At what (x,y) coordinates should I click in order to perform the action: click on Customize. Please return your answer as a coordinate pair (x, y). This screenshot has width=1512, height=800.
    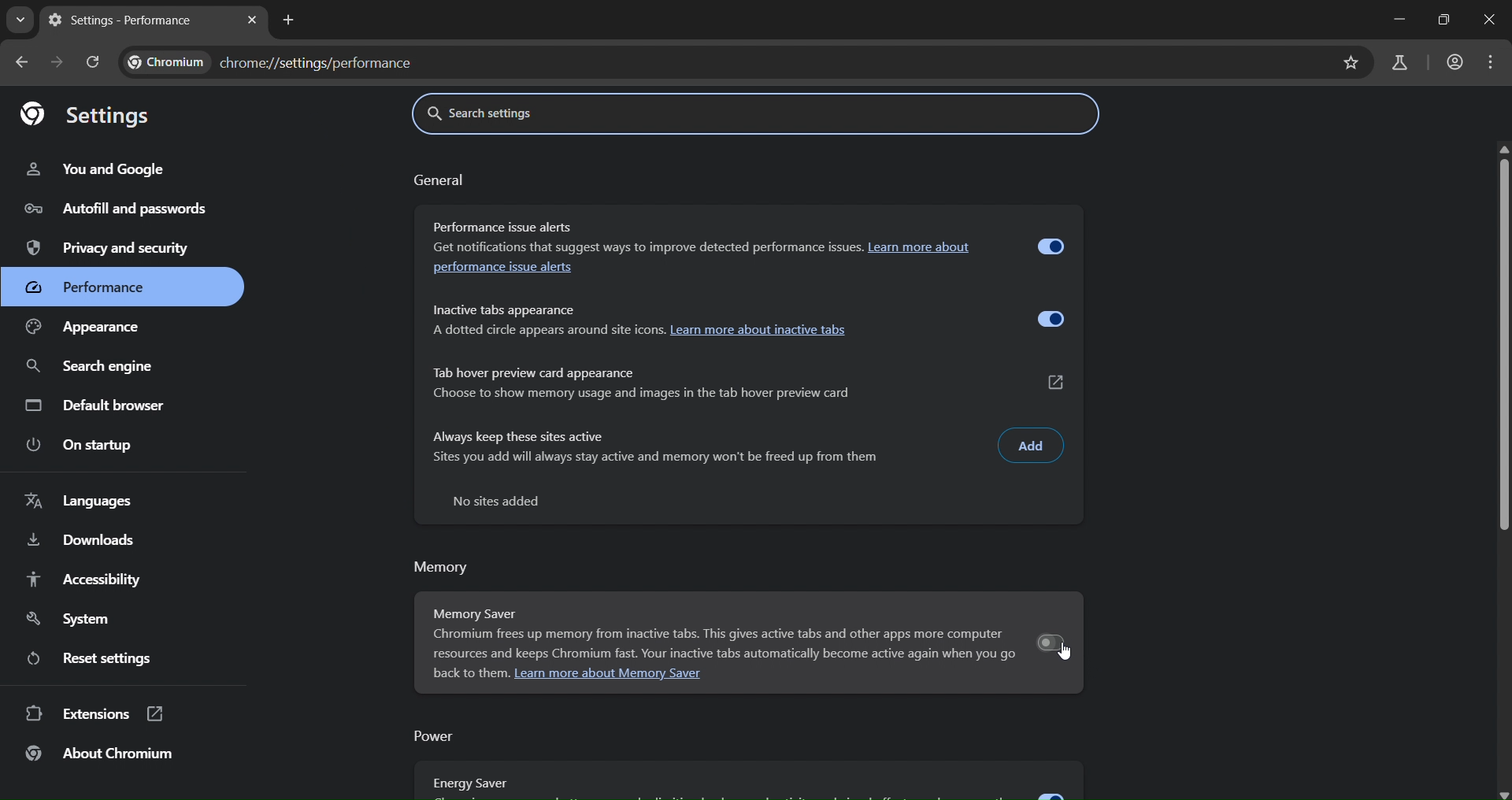
    Looking at the image, I should click on (1054, 383).